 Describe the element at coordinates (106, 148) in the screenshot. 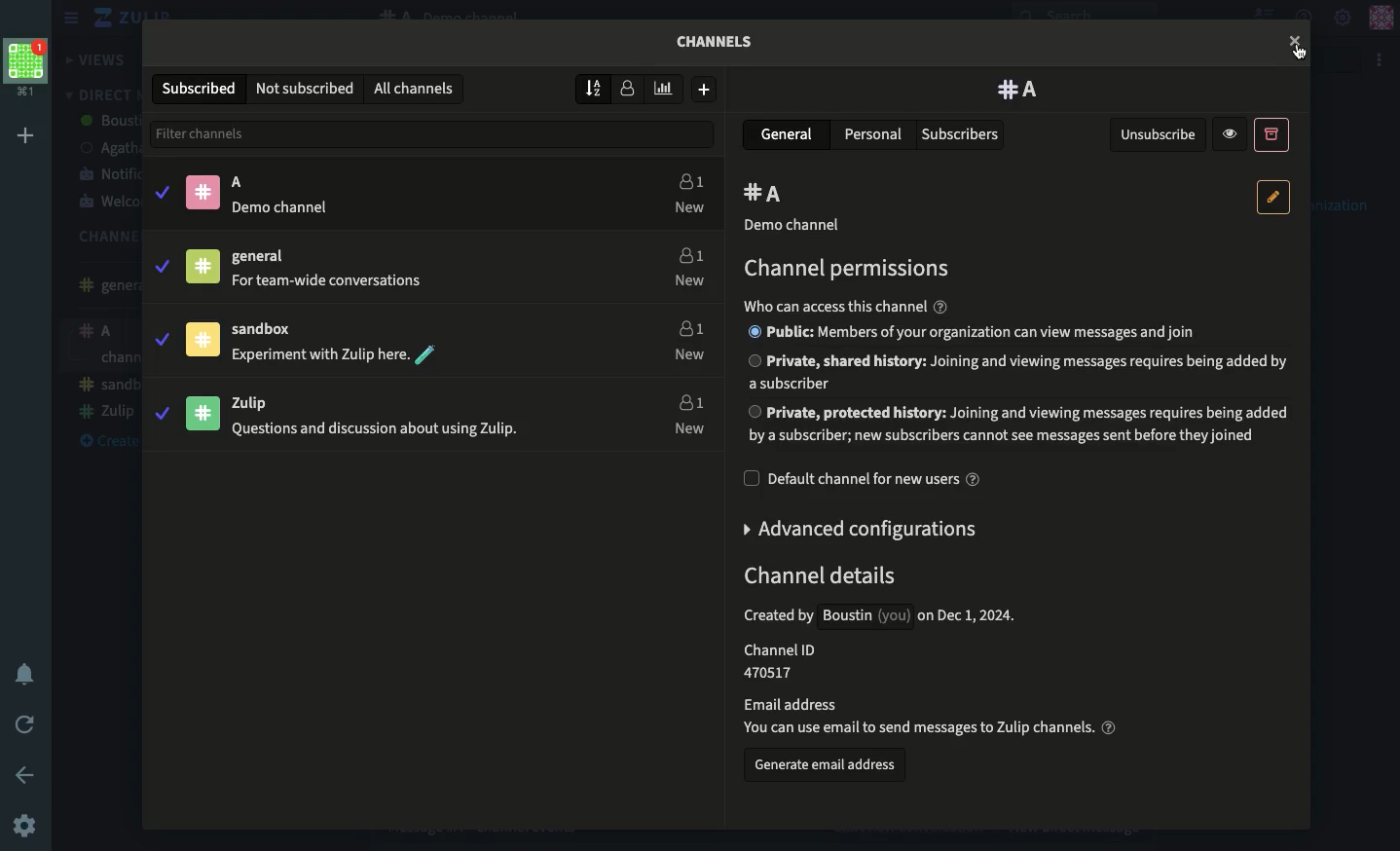

I see `agatha` at that location.